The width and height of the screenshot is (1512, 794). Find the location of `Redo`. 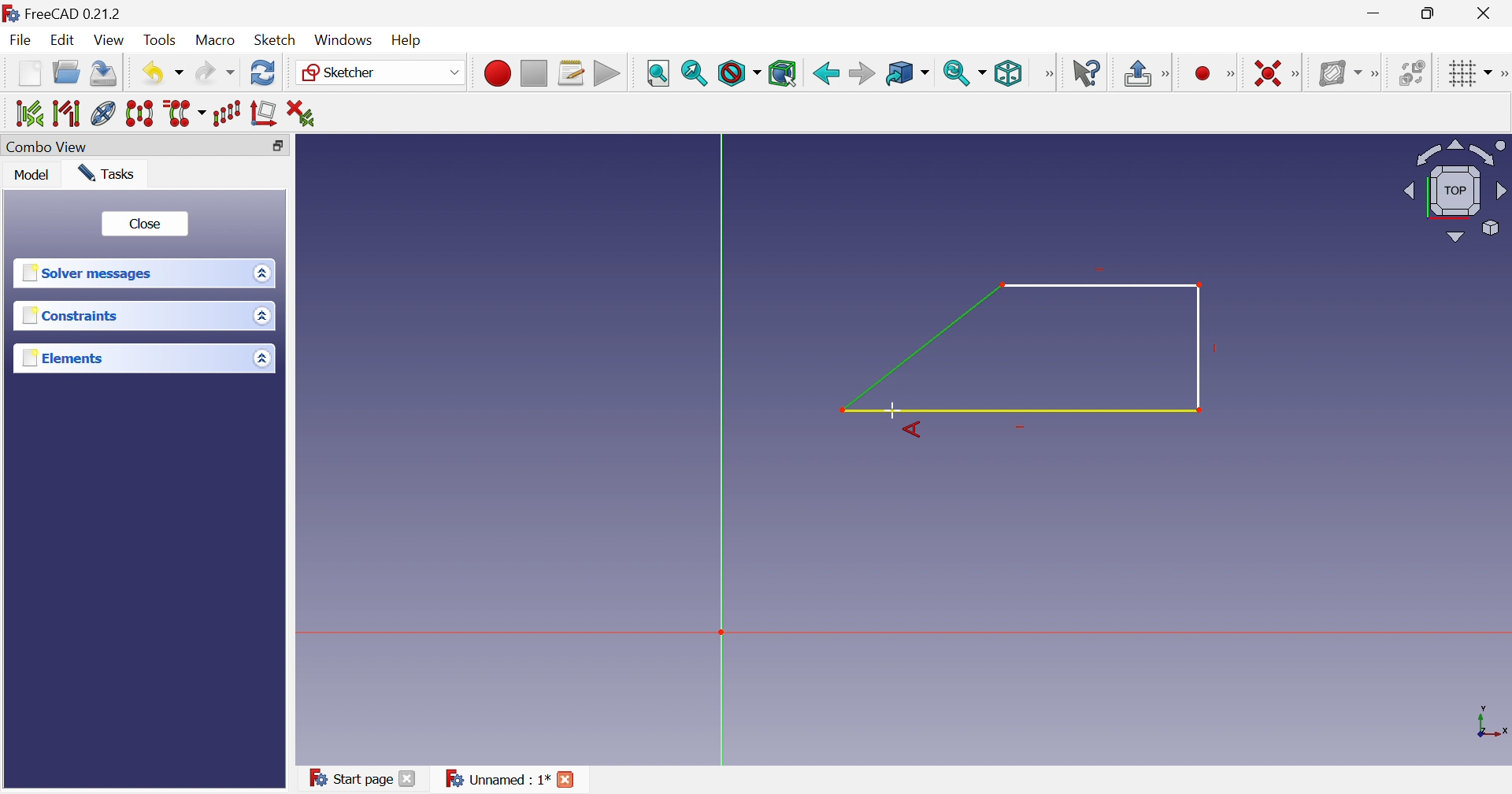

Redo is located at coordinates (213, 76).